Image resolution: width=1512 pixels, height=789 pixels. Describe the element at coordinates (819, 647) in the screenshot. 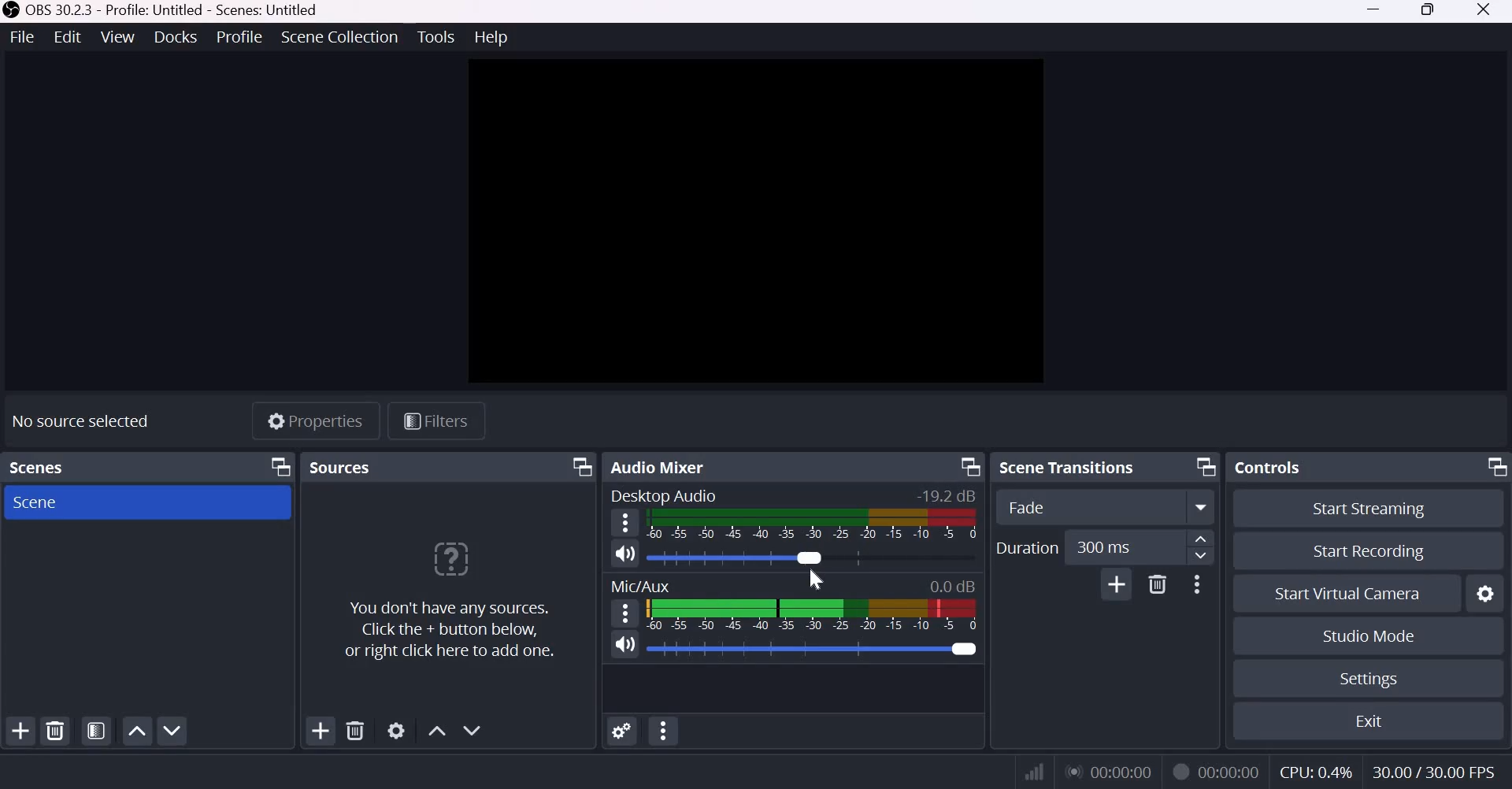

I see `Audio Slider` at that location.